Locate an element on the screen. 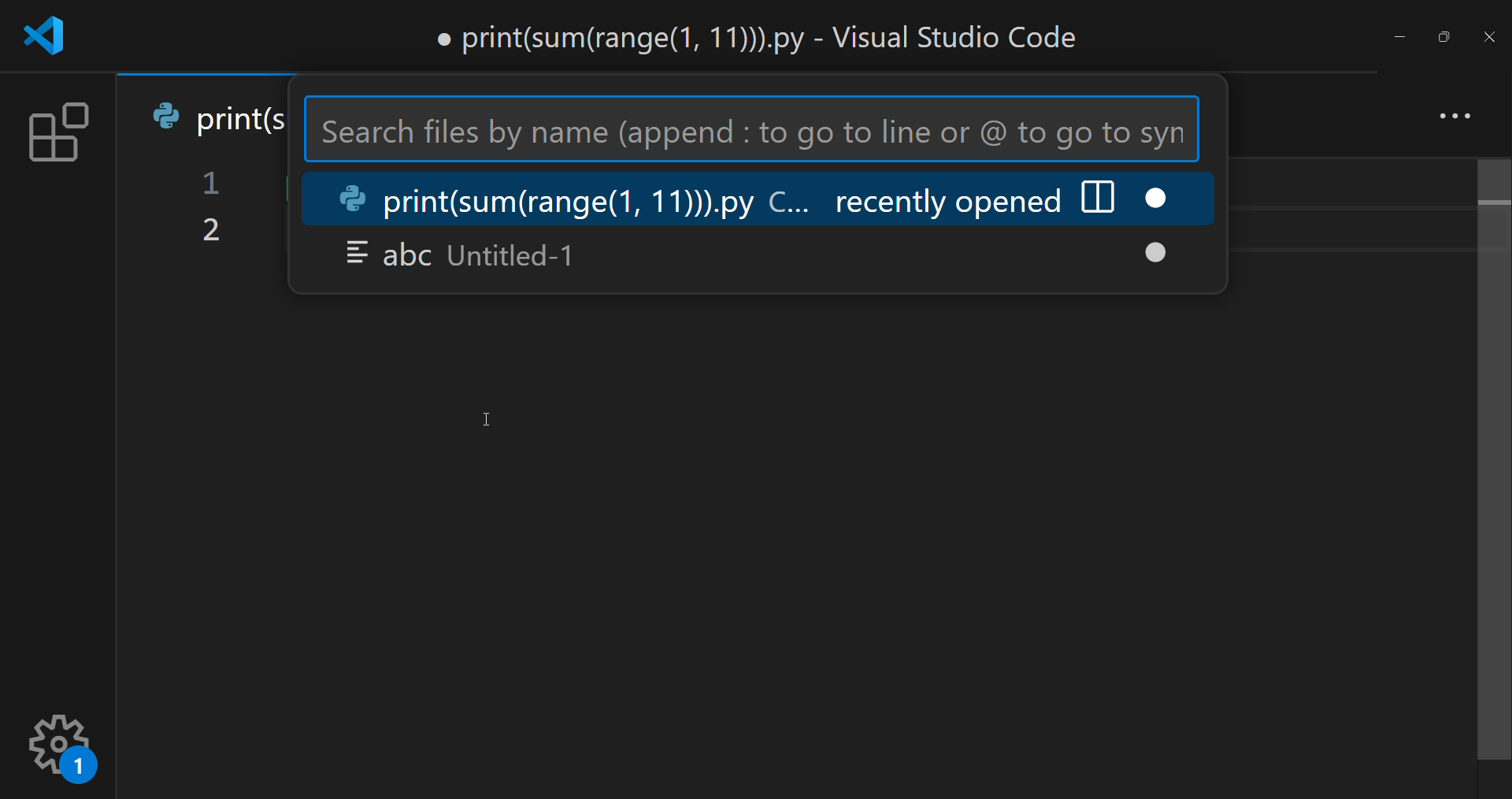  abc Untitled-1 is located at coordinates (461, 256).